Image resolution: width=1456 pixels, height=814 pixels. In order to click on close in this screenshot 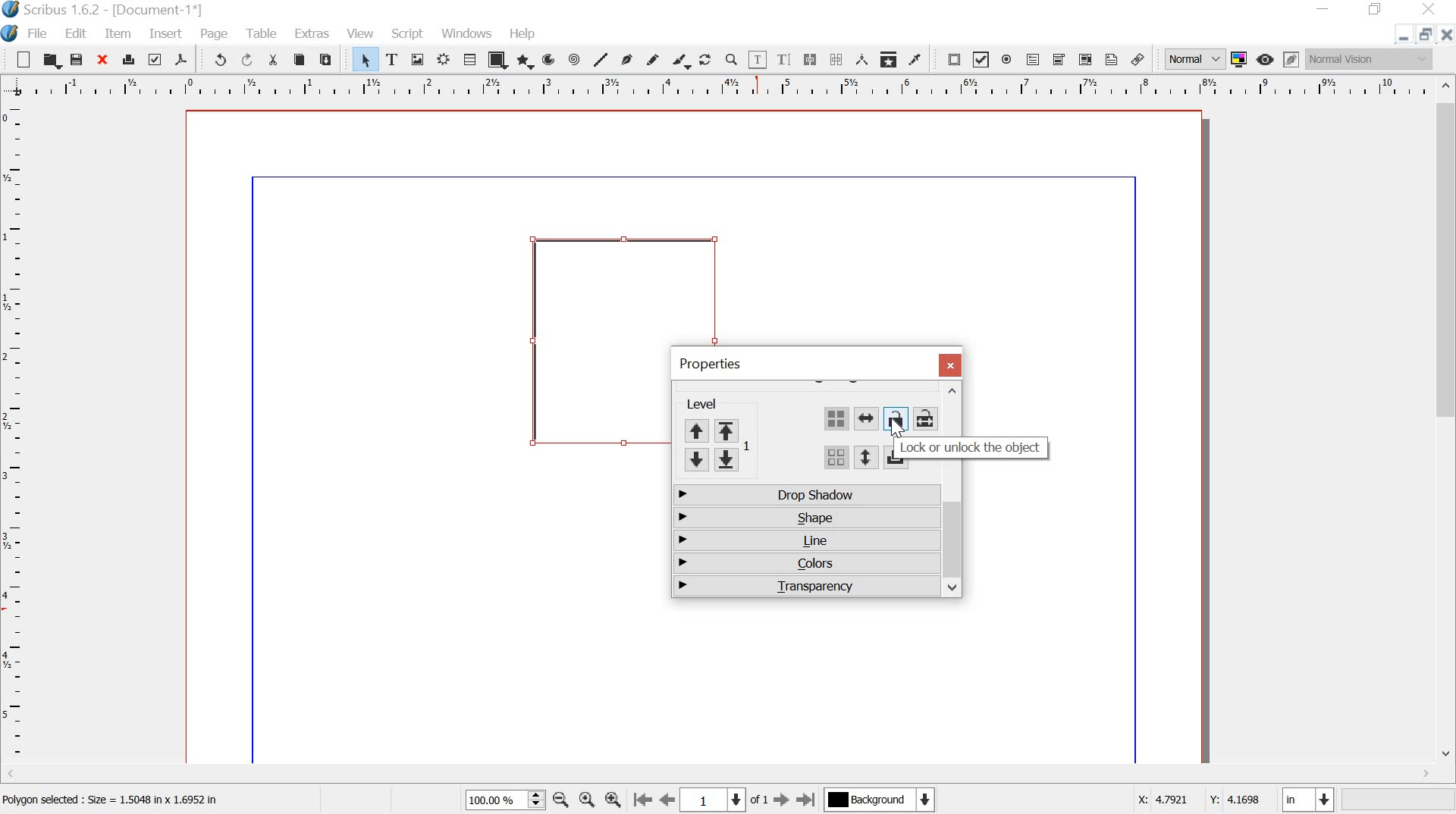, I will do `click(949, 365)`.